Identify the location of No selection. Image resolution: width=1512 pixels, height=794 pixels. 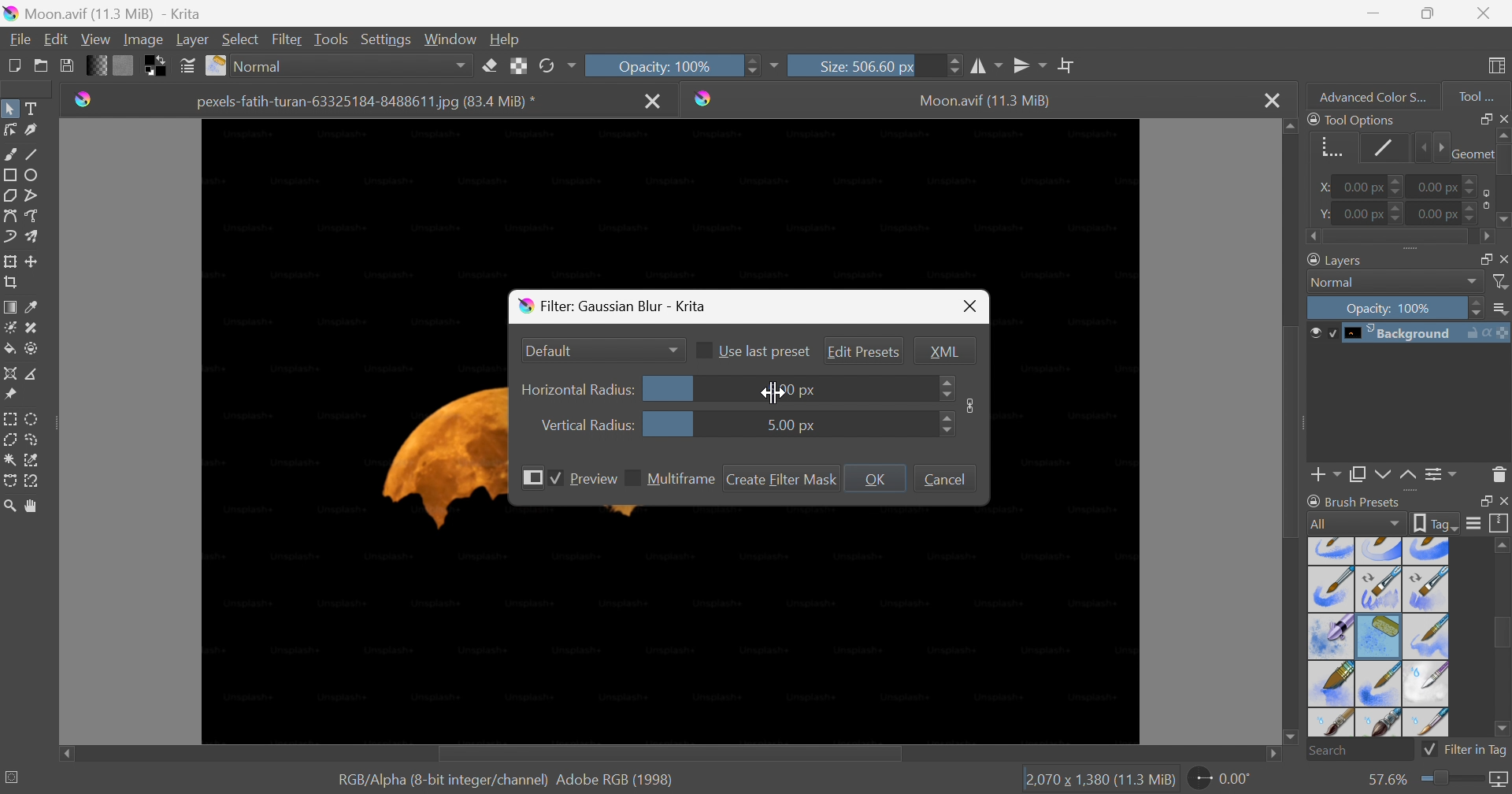
(13, 777).